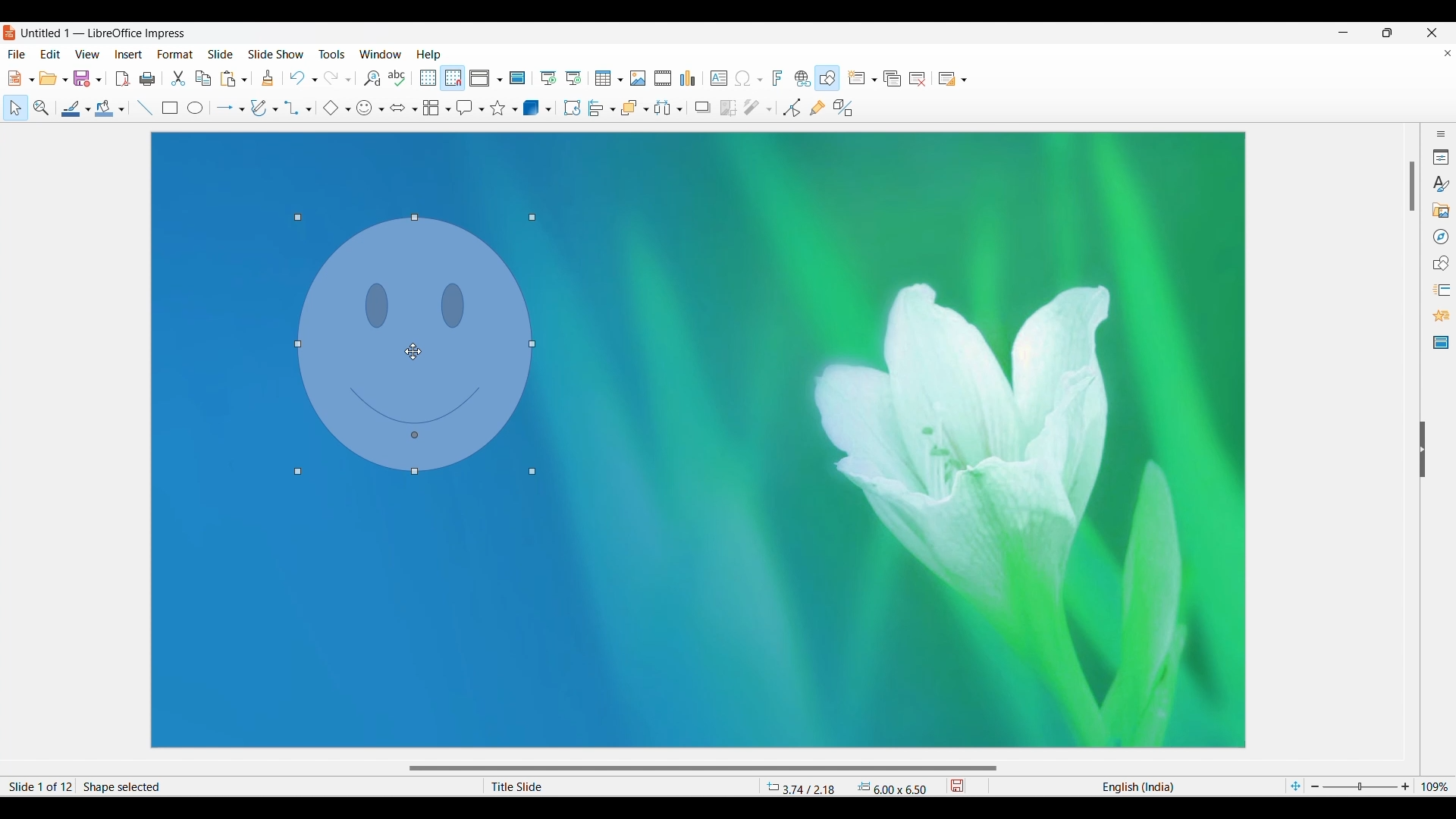 This screenshot has width=1456, height=819. I want to click on Object position changed, so click(416, 345).